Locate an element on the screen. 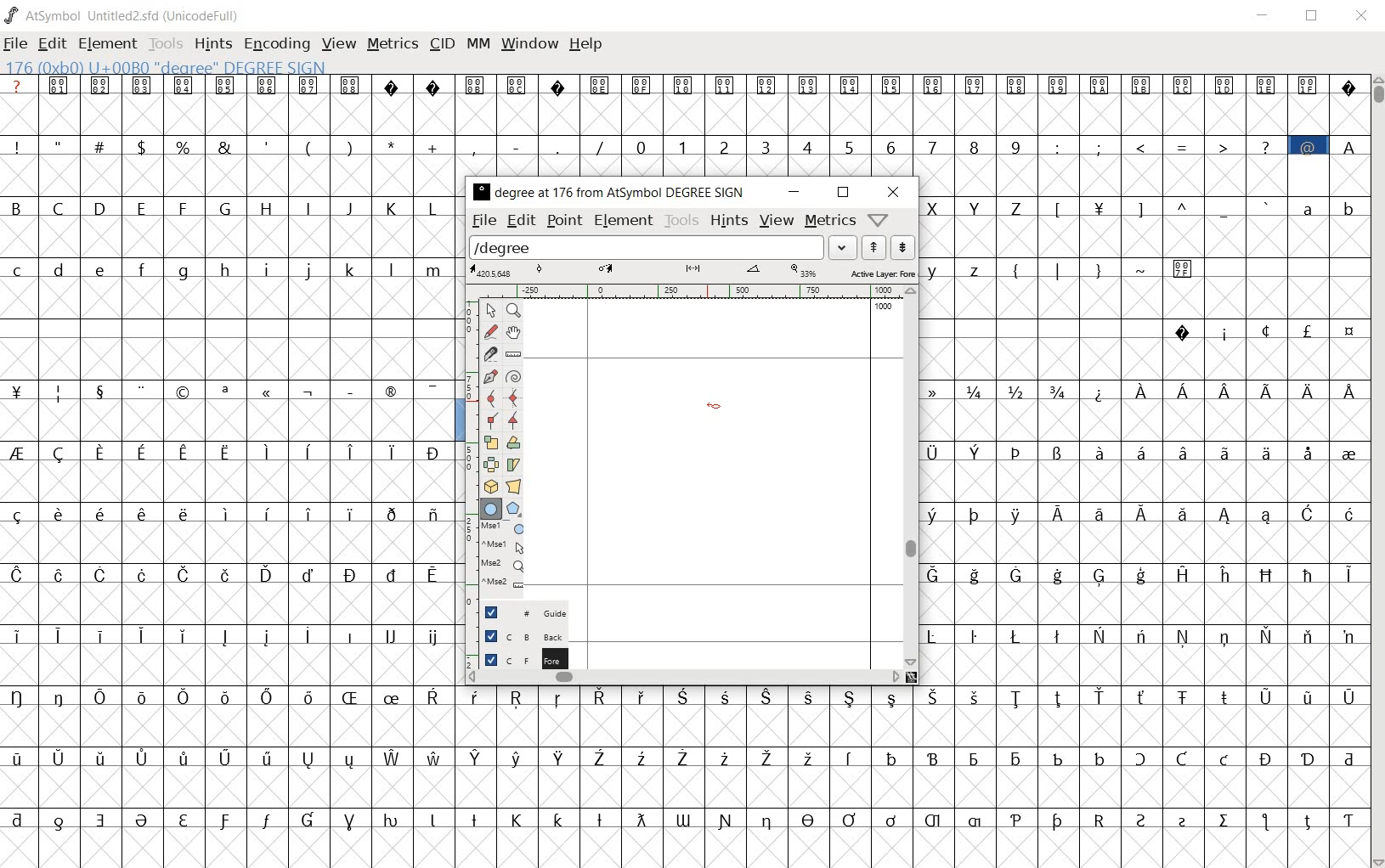 The width and height of the screenshot is (1385, 868). hints is located at coordinates (212, 44).